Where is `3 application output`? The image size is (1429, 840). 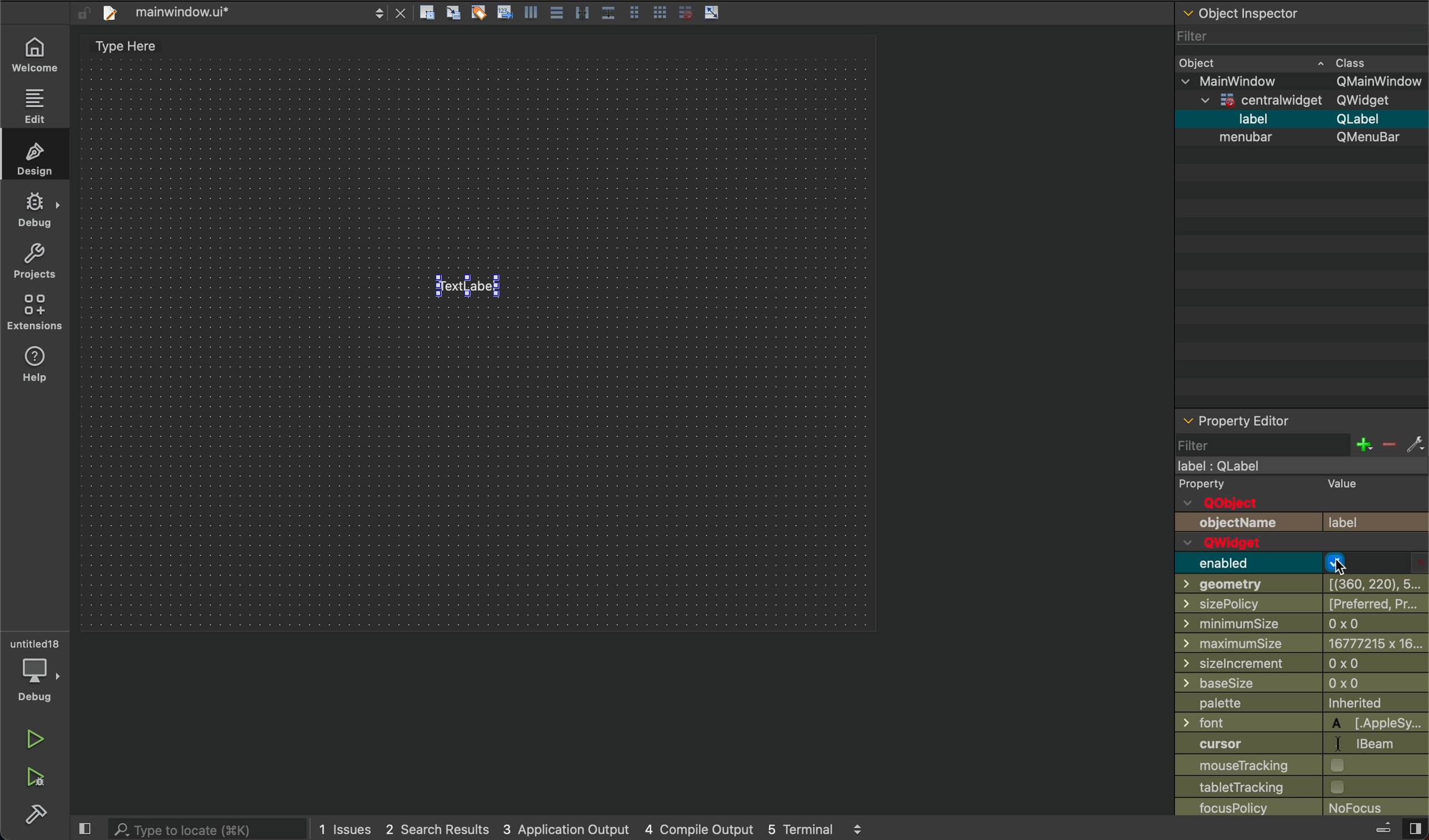
3 application output is located at coordinates (564, 826).